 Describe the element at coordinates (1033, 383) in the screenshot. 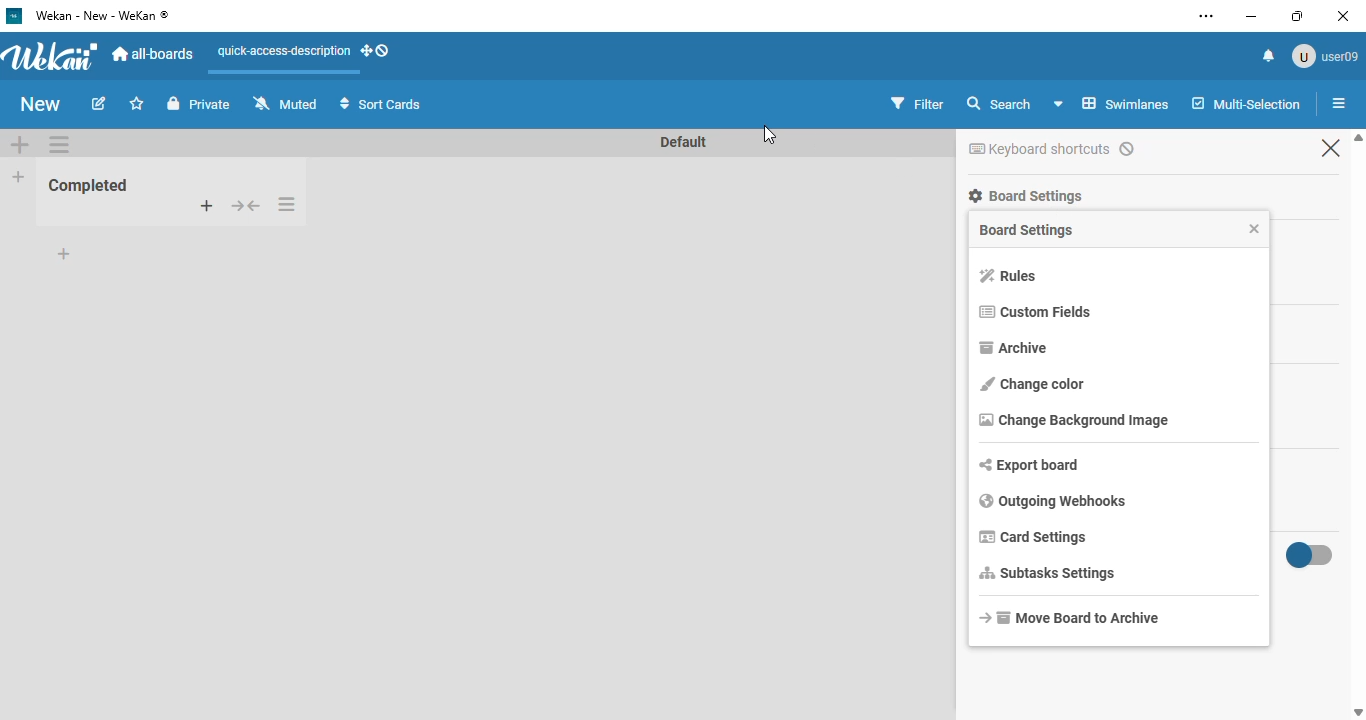

I see `change color` at that location.